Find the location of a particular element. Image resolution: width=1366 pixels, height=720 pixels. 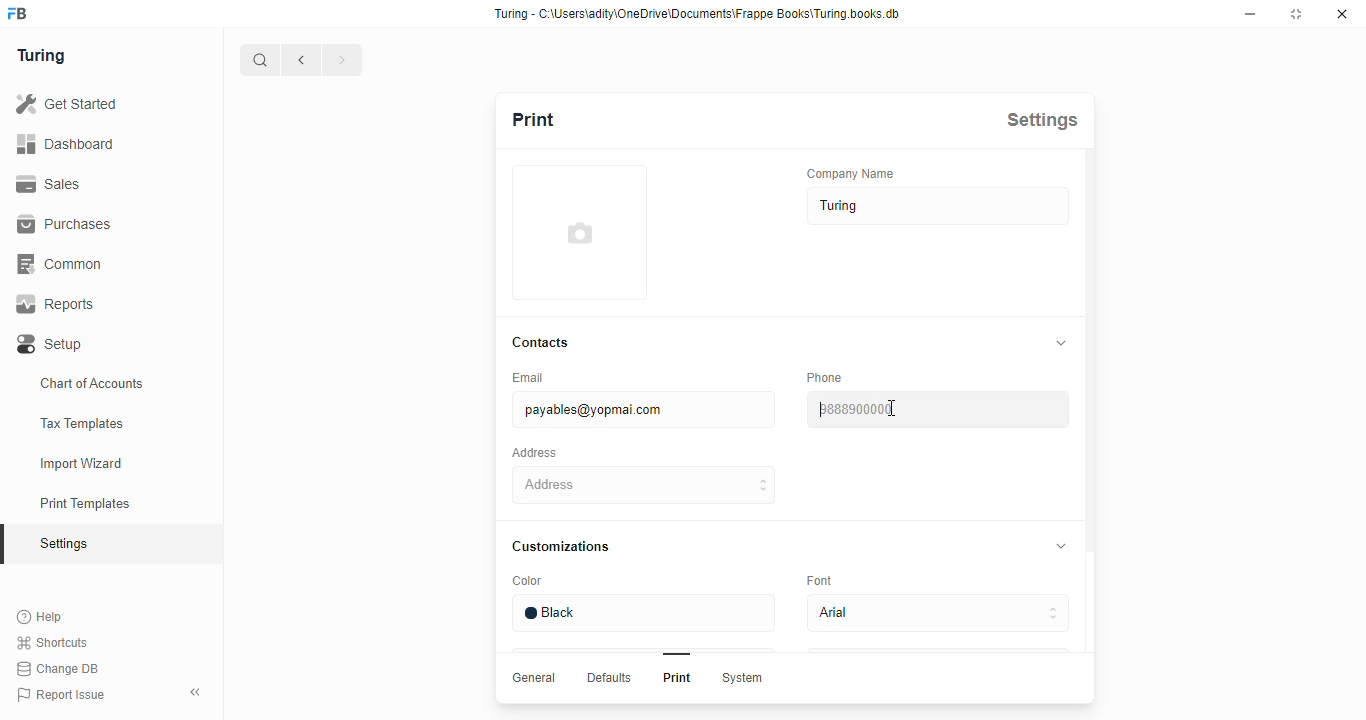

Change DB is located at coordinates (60, 670).